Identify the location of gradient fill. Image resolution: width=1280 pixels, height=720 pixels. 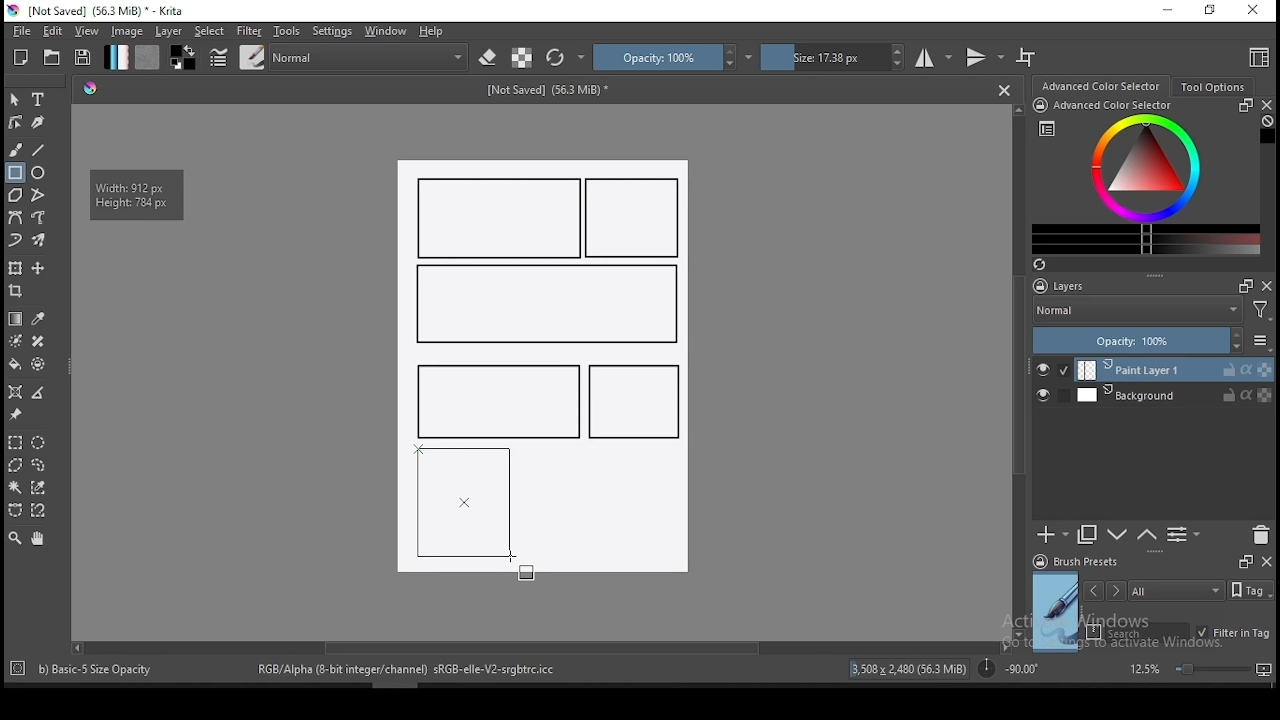
(116, 57).